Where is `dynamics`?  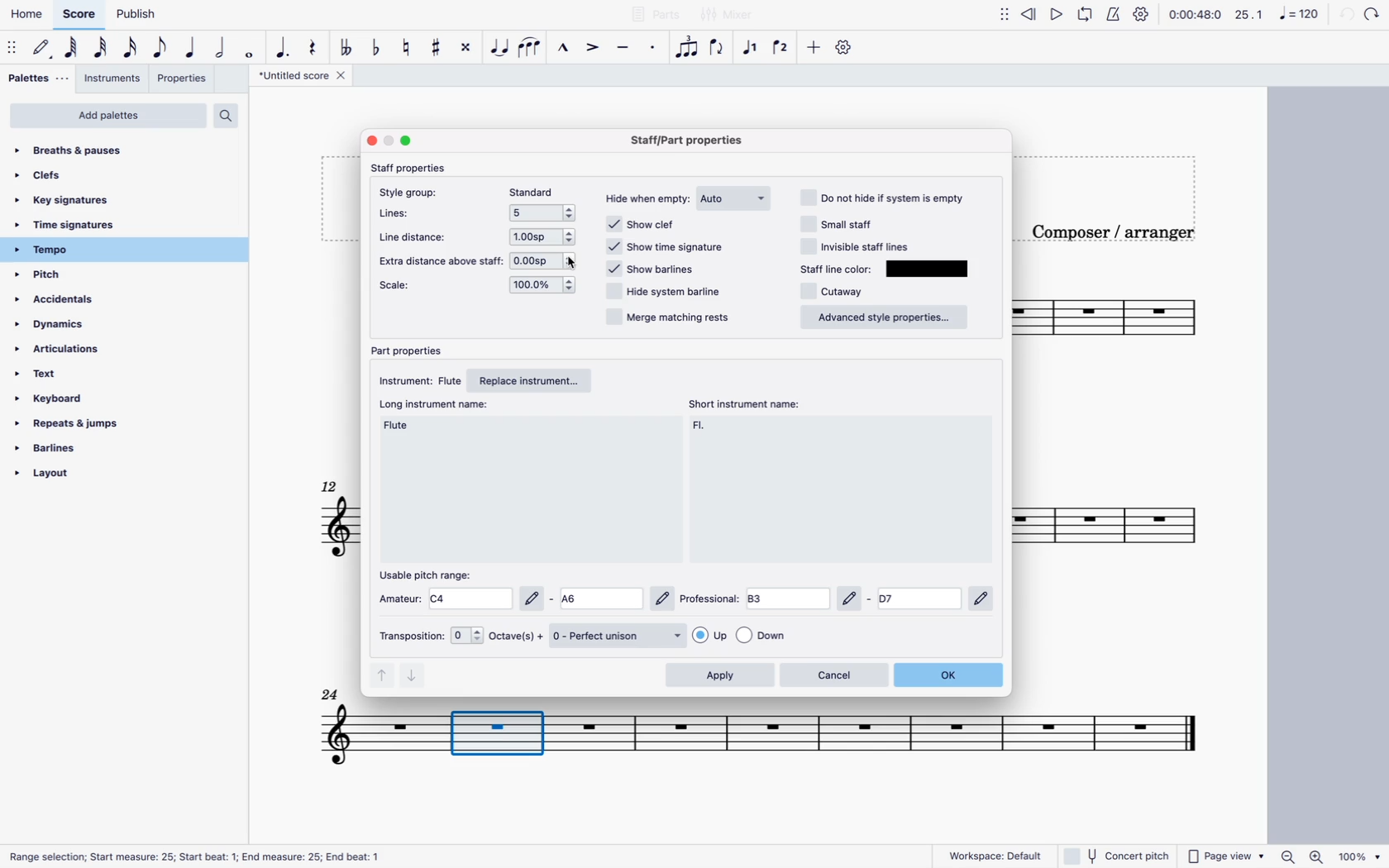
dynamics is located at coordinates (59, 324).